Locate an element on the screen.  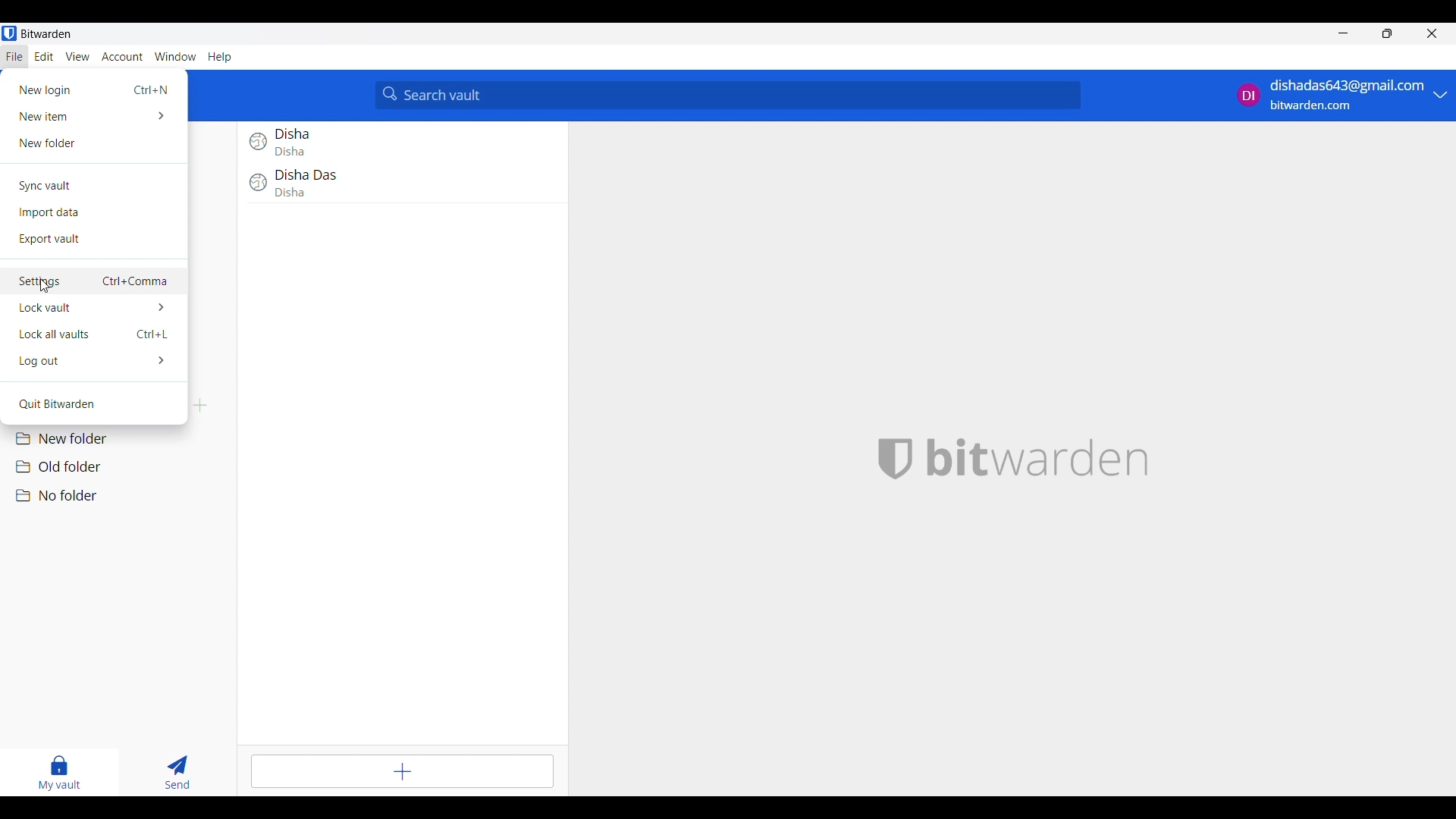
Lock vault options is located at coordinates (93, 308).